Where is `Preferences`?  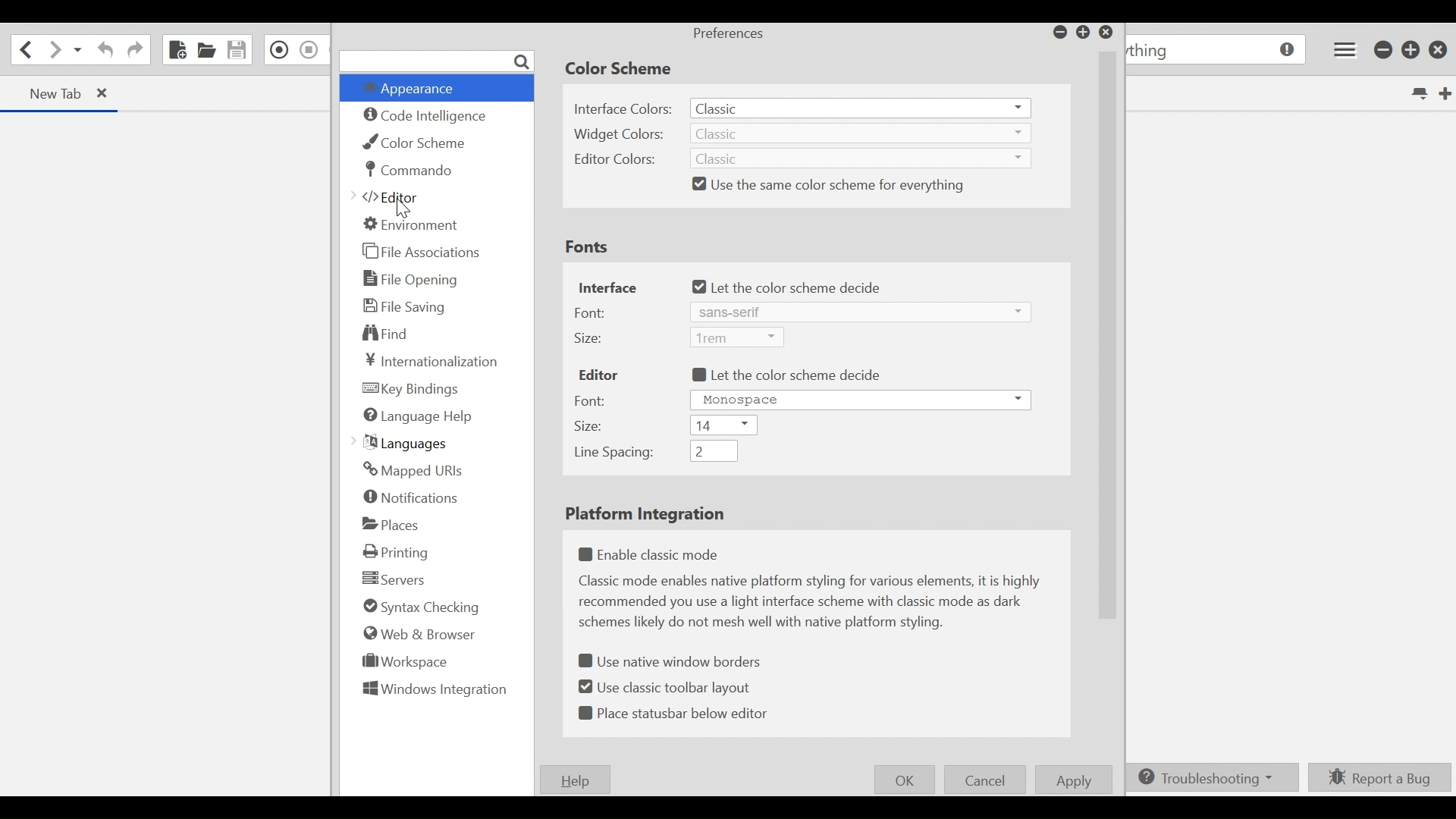 Preferences is located at coordinates (733, 33).